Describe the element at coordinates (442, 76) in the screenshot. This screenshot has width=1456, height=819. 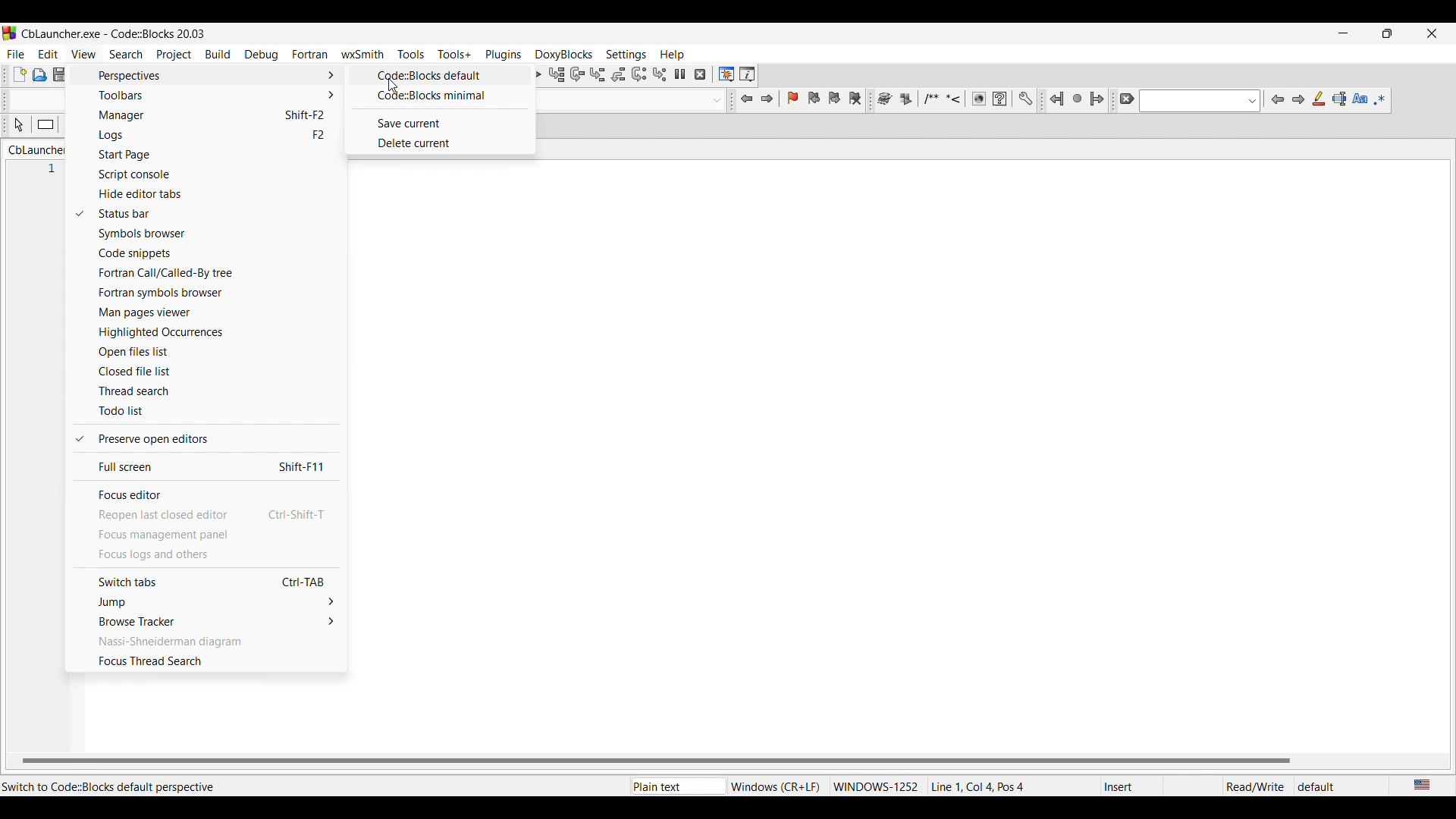
I see `Code::Blocks default` at that location.